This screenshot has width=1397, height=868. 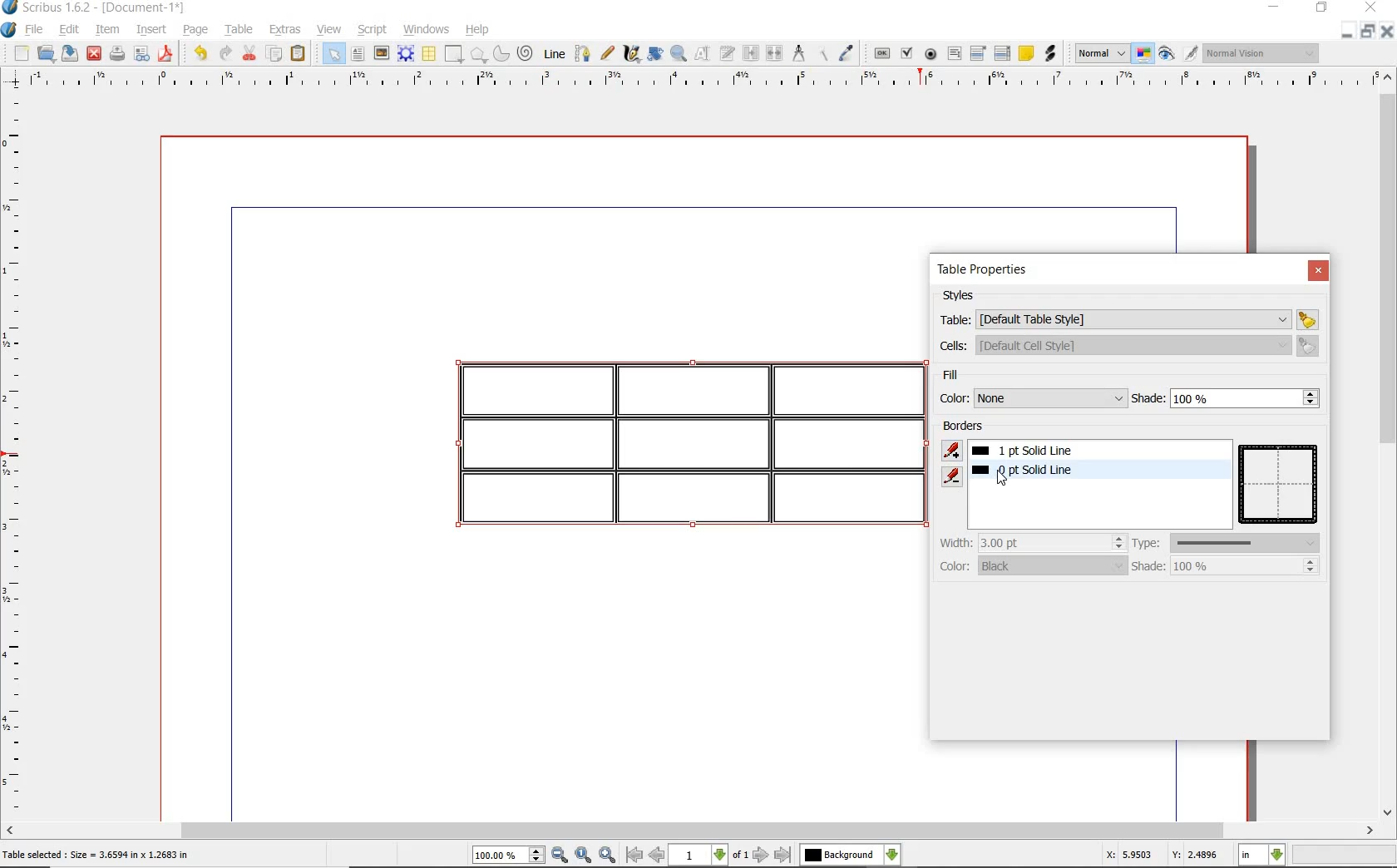 What do you see at coordinates (1281, 486) in the screenshot?
I see `table preview` at bounding box center [1281, 486].